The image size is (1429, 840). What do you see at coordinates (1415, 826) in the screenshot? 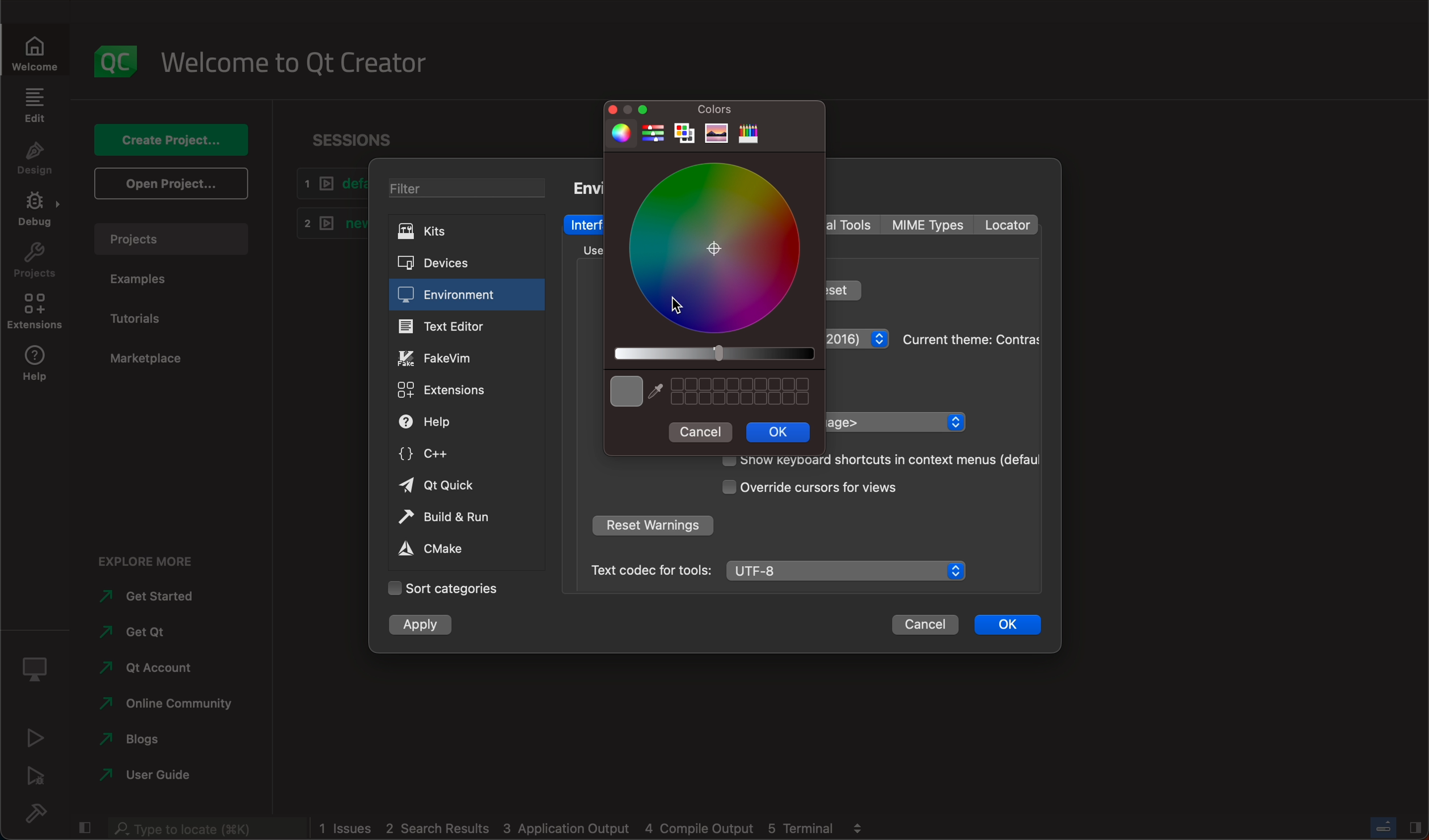
I see `hide/show right side bar` at bounding box center [1415, 826].